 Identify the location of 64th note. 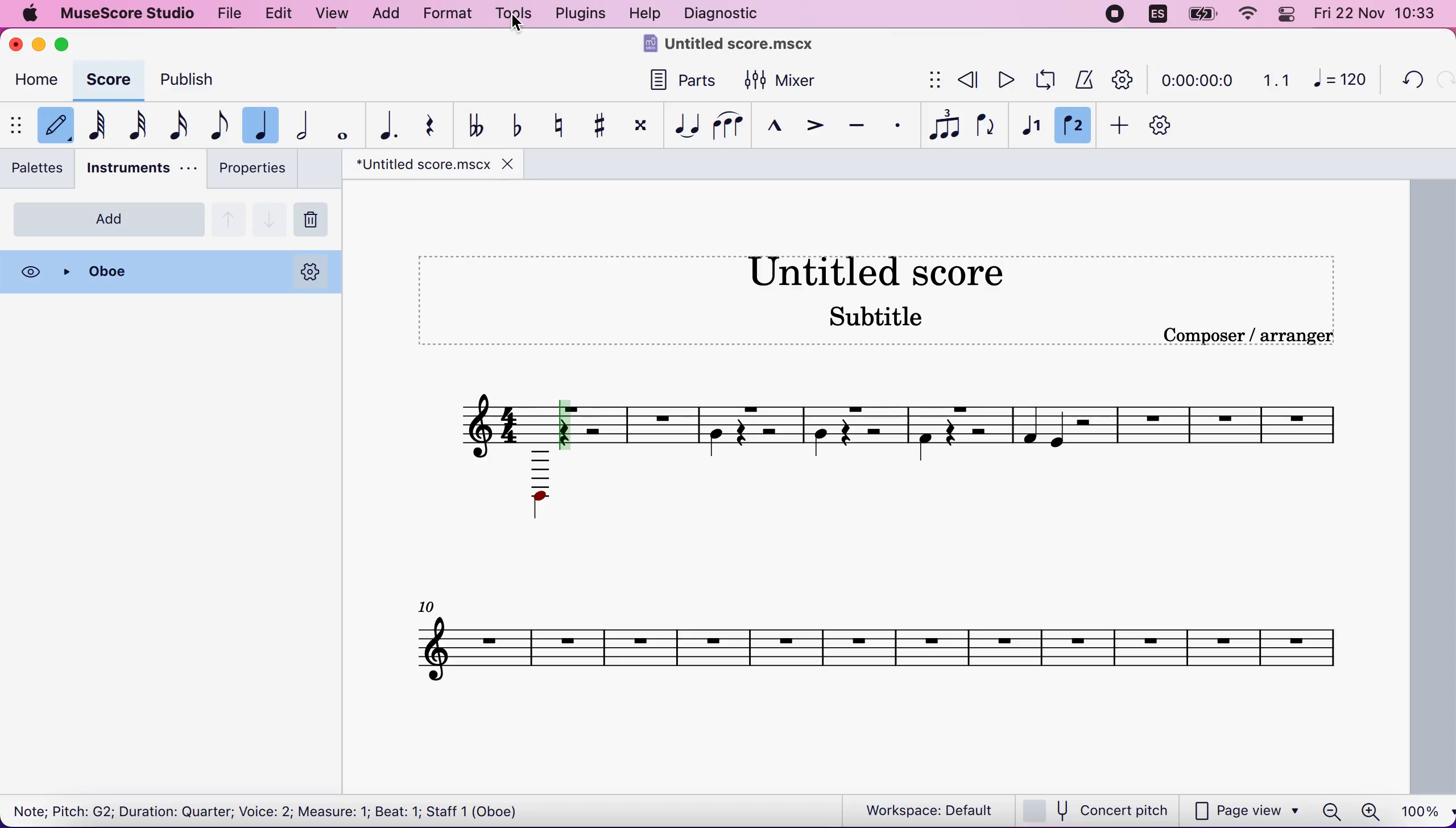
(104, 123).